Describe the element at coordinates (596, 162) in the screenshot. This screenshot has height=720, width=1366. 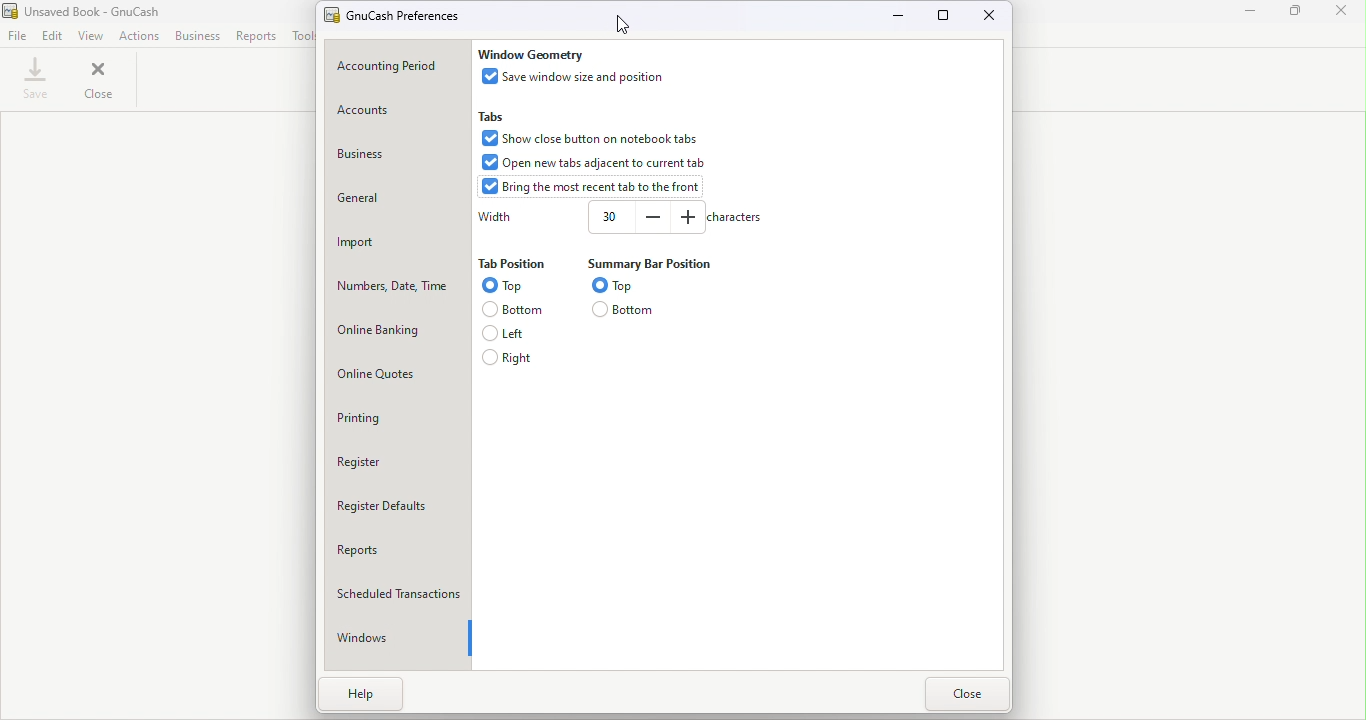
I see `Open new tabs adjacent to current tab` at that location.